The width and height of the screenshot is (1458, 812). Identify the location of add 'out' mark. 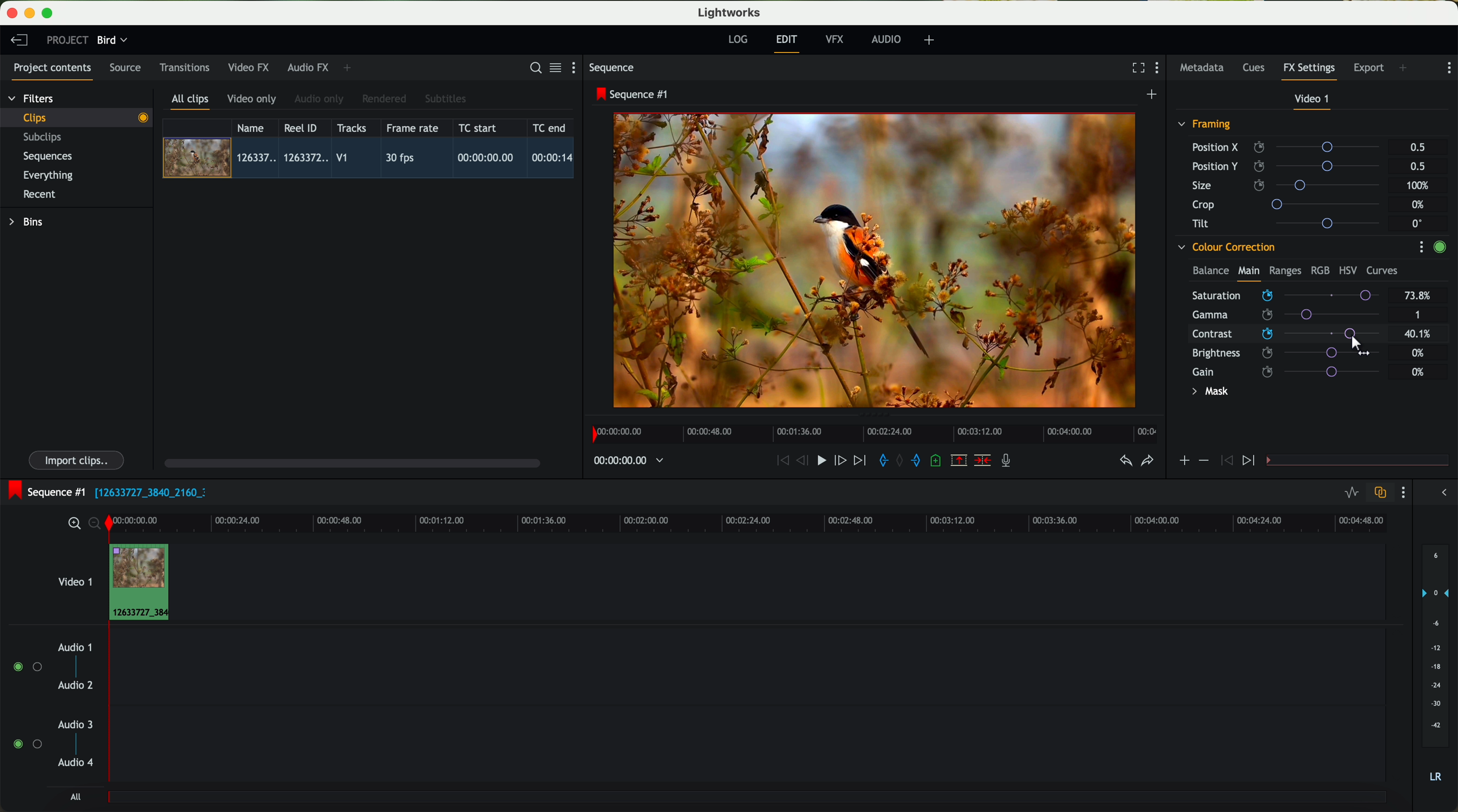
(921, 459).